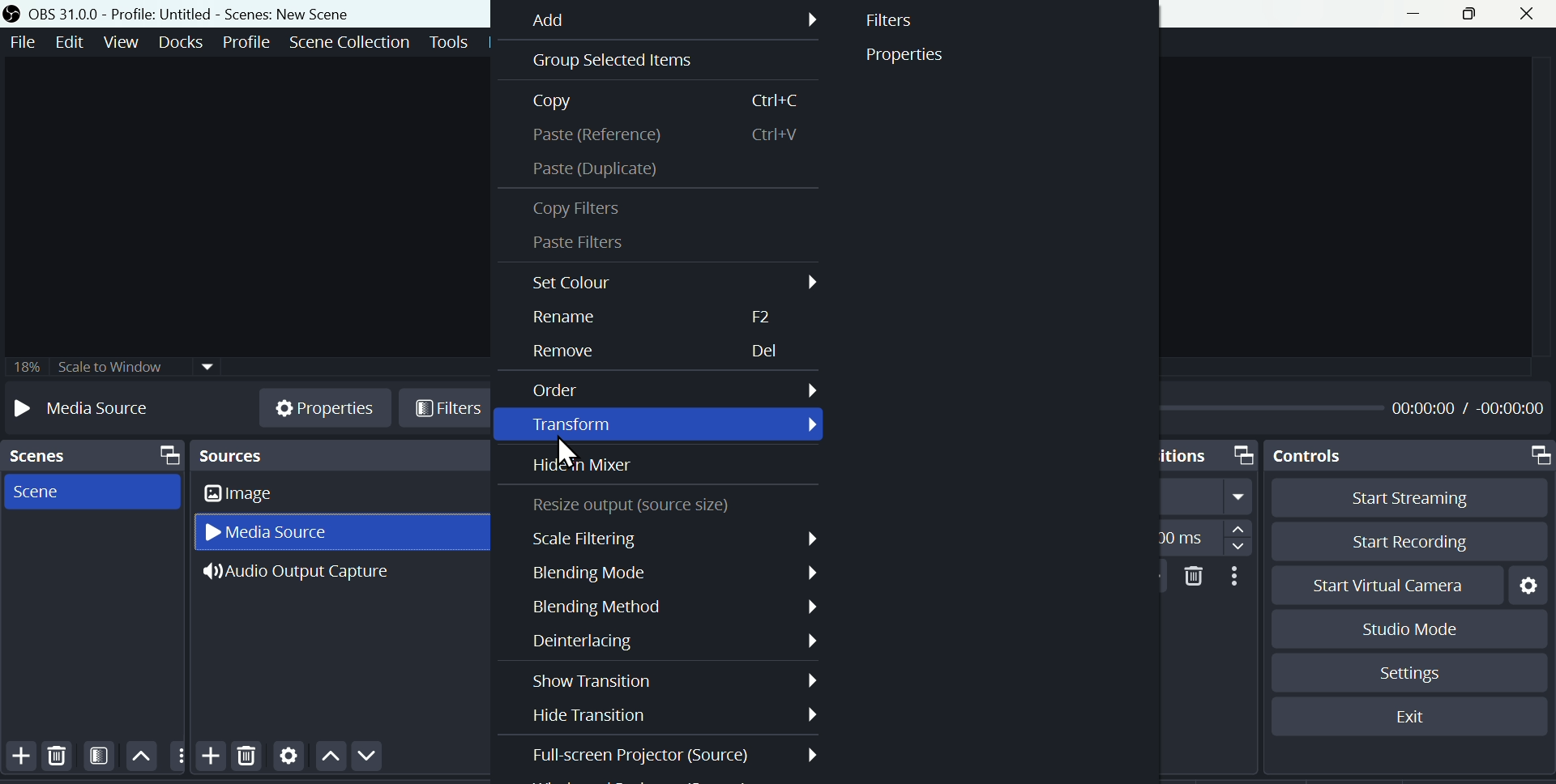 This screenshot has width=1556, height=784. Describe the element at coordinates (19, 758) in the screenshot. I see `Add` at that location.